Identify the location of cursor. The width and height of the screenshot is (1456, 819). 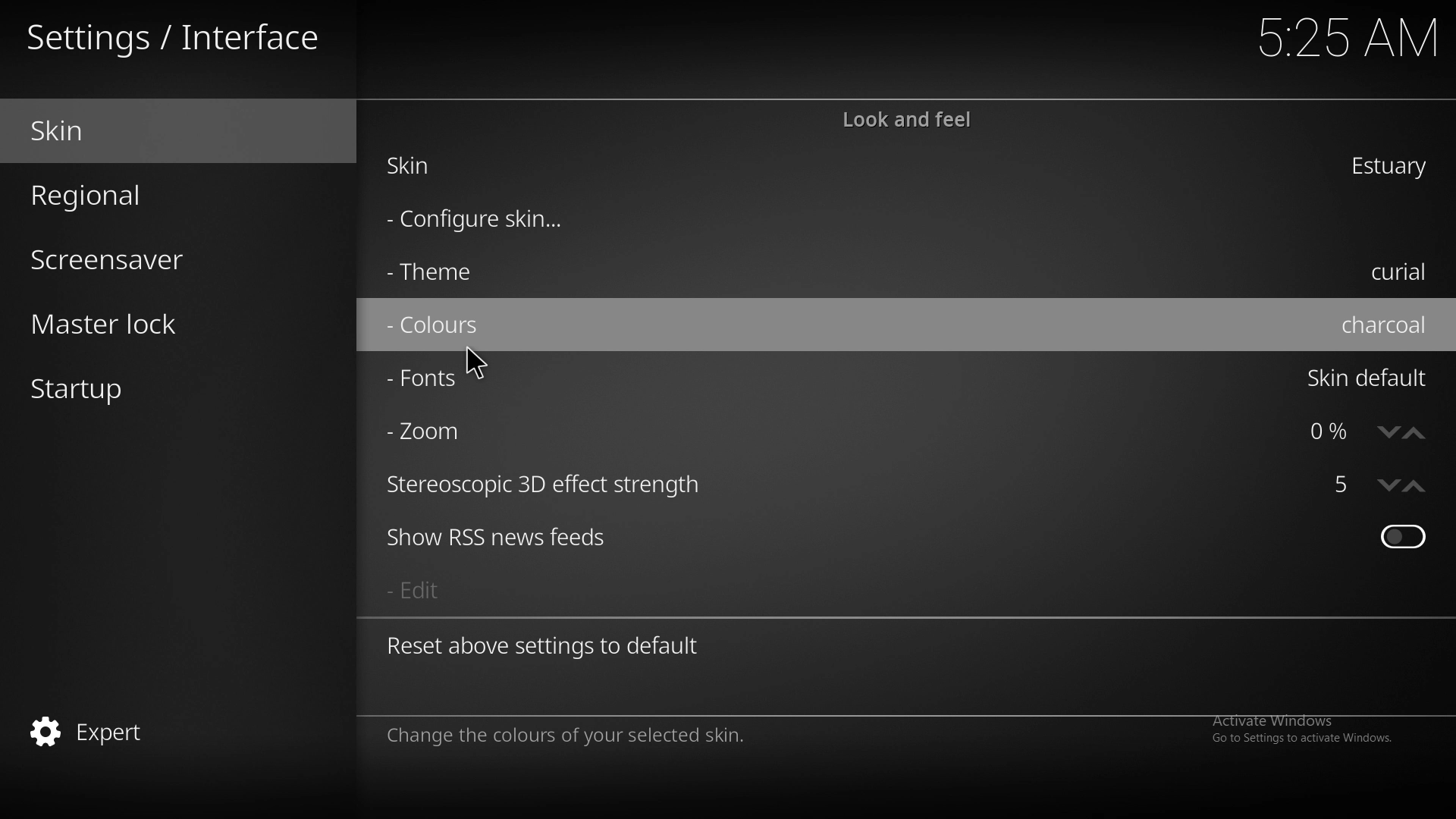
(485, 367).